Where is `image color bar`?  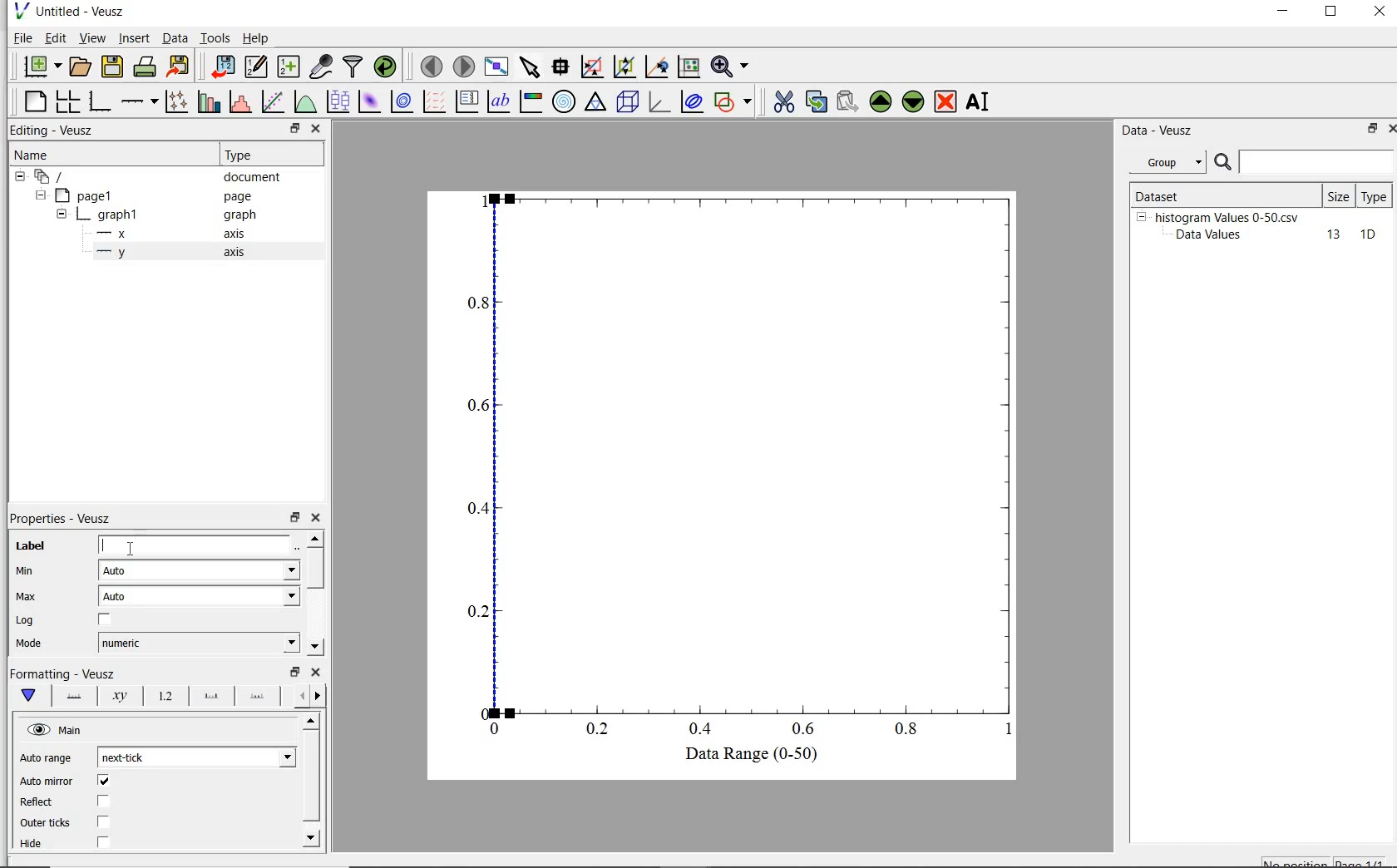
image color bar is located at coordinates (532, 101).